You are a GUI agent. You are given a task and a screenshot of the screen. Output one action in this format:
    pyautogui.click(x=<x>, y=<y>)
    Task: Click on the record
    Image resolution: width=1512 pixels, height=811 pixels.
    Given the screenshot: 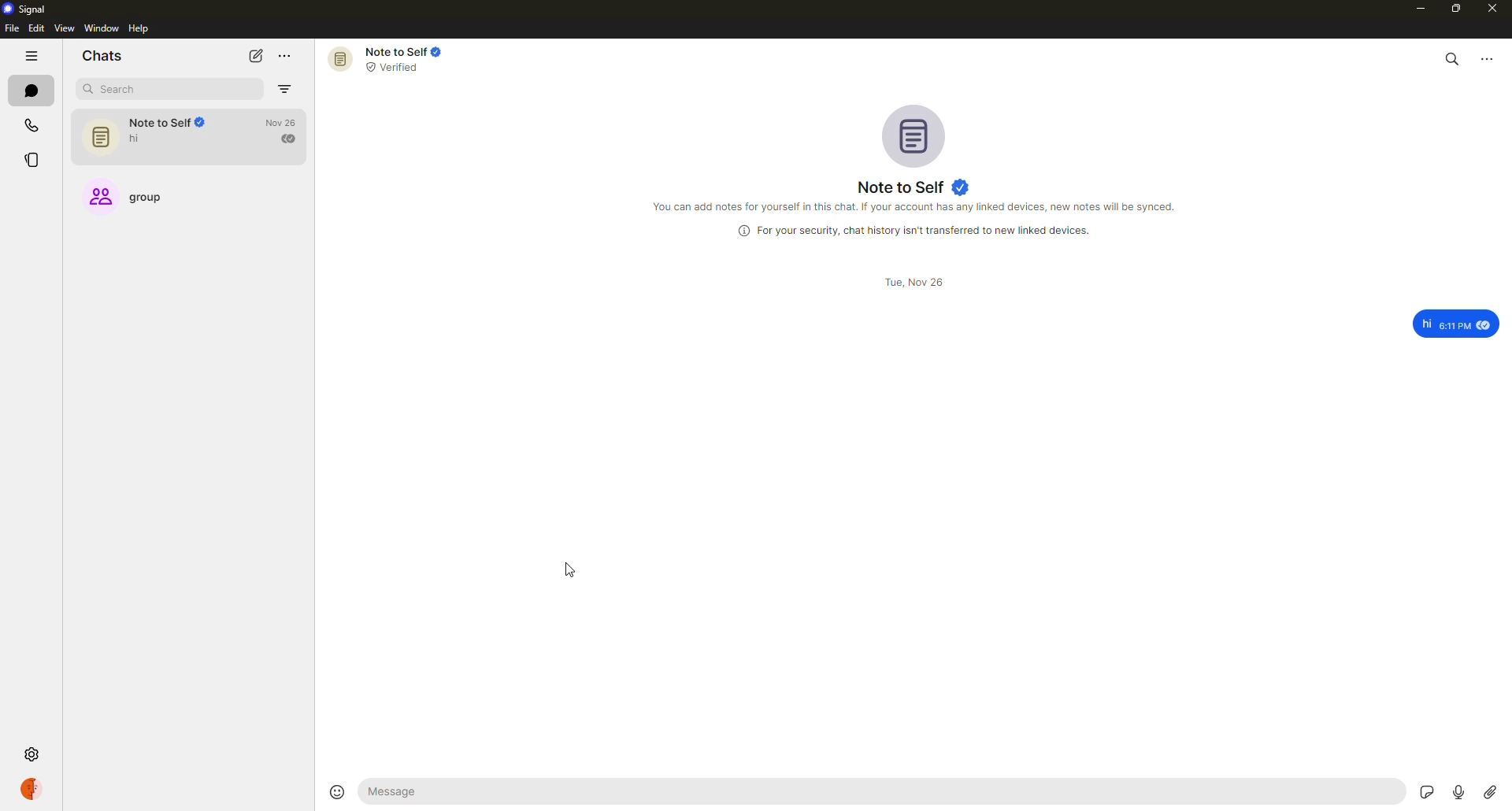 What is the action you would take?
    pyautogui.click(x=1457, y=789)
    